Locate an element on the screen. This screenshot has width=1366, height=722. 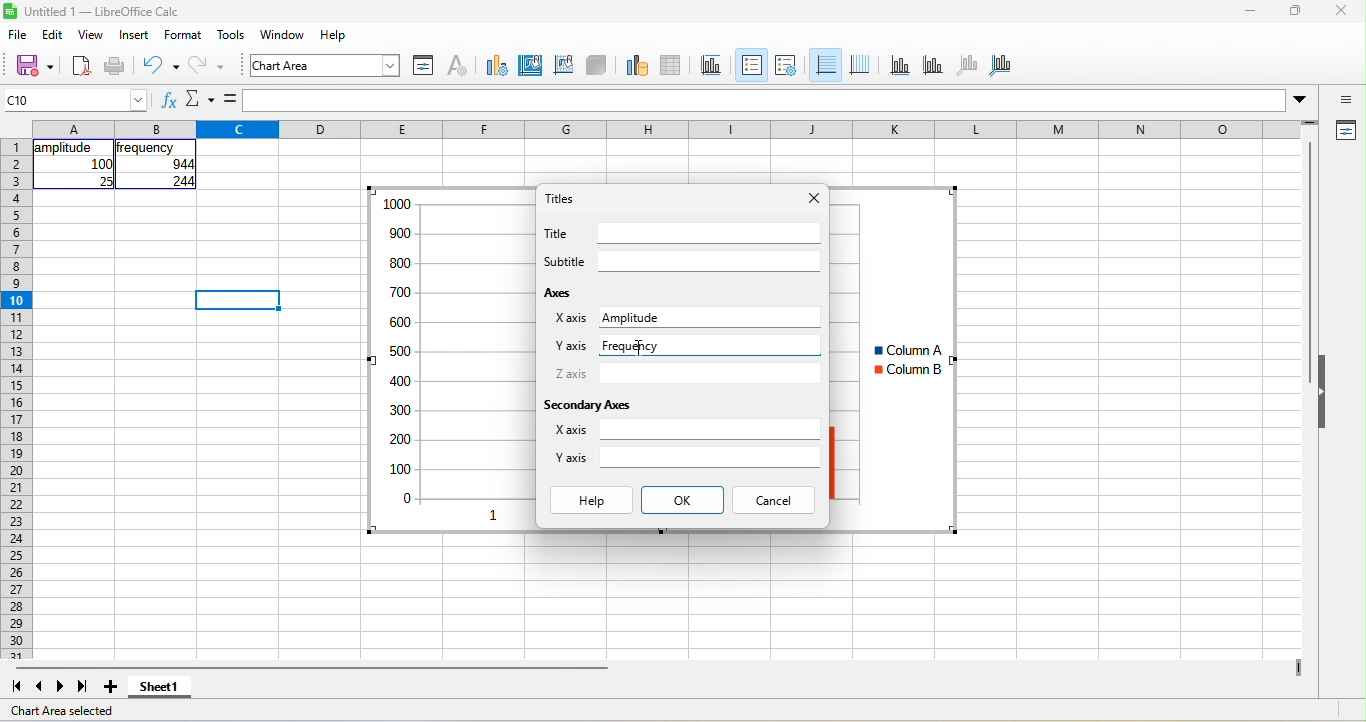
244 is located at coordinates (183, 181).